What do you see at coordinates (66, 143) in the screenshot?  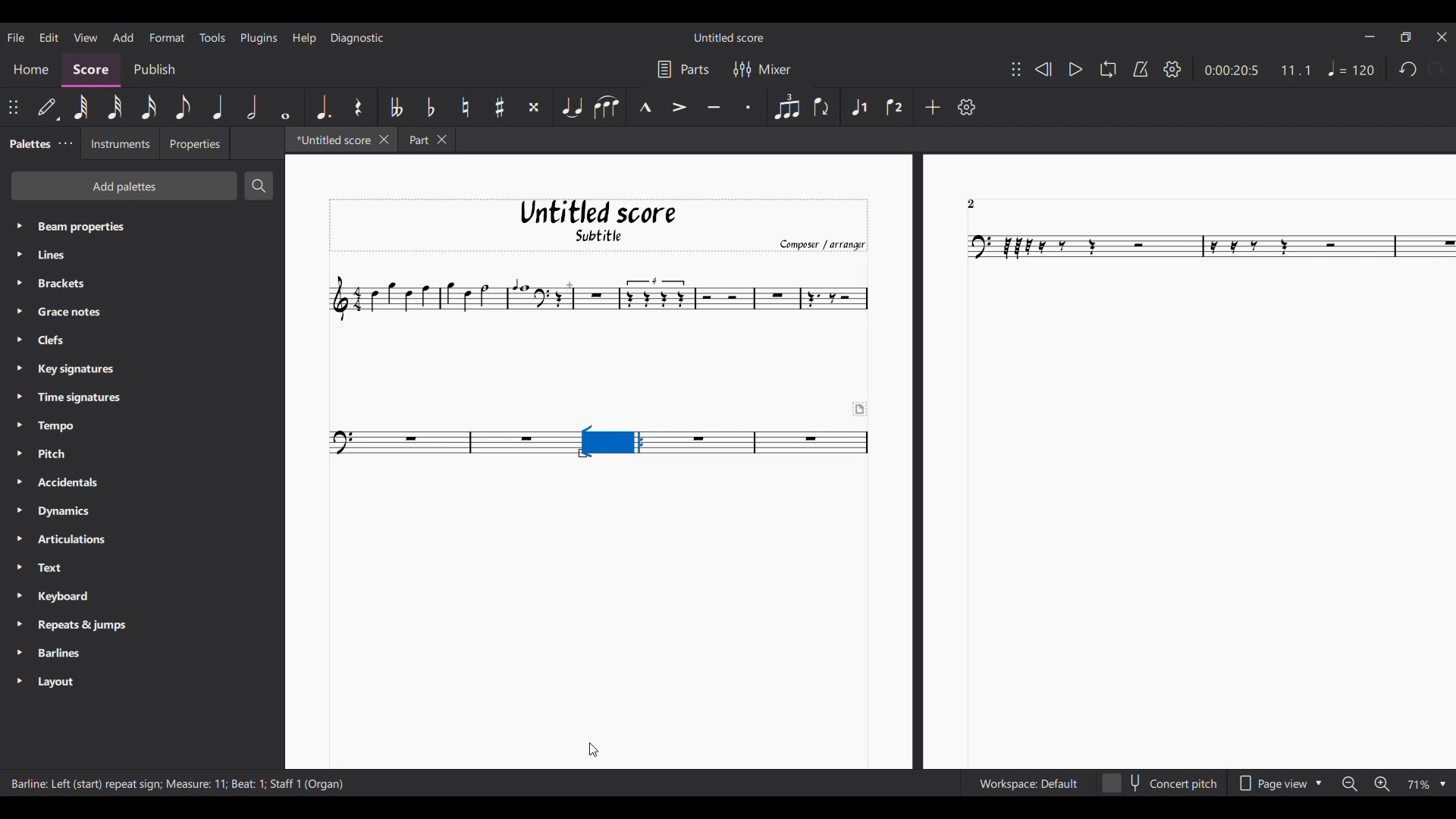 I see `Palette settings` at bounding box center [66, 143].